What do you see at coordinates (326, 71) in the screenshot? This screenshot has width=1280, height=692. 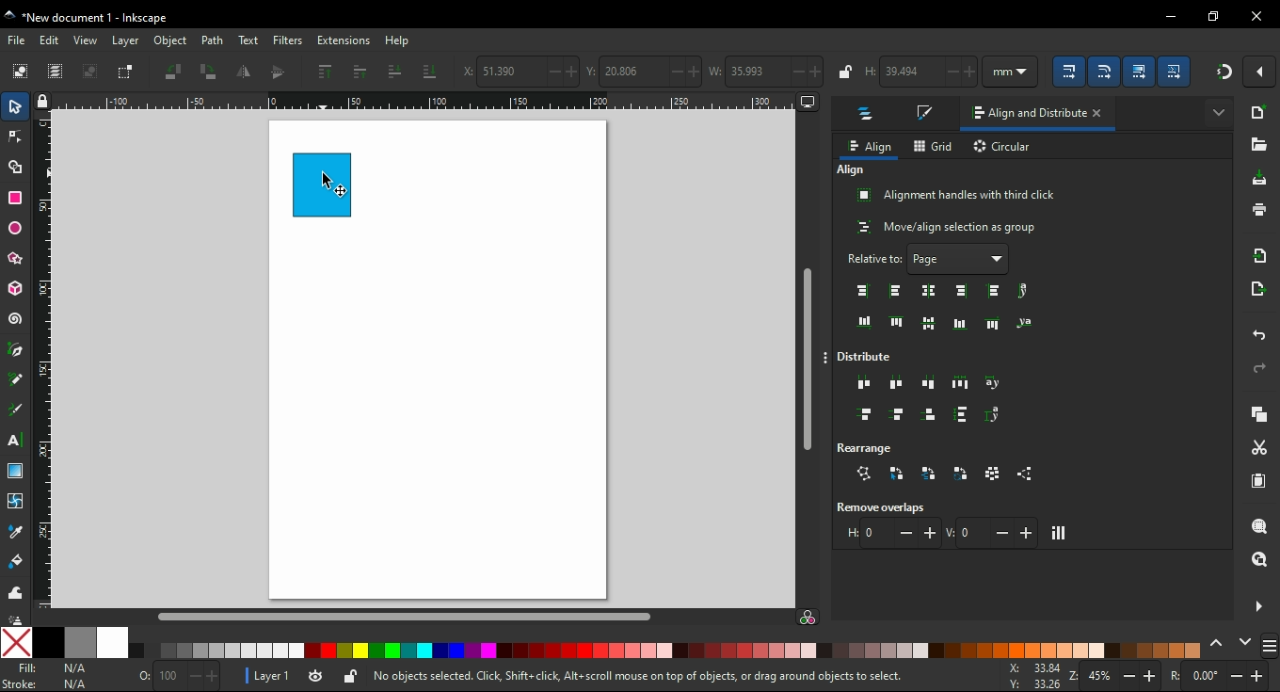 I see `raise to top` at bounding box center [326, 71].